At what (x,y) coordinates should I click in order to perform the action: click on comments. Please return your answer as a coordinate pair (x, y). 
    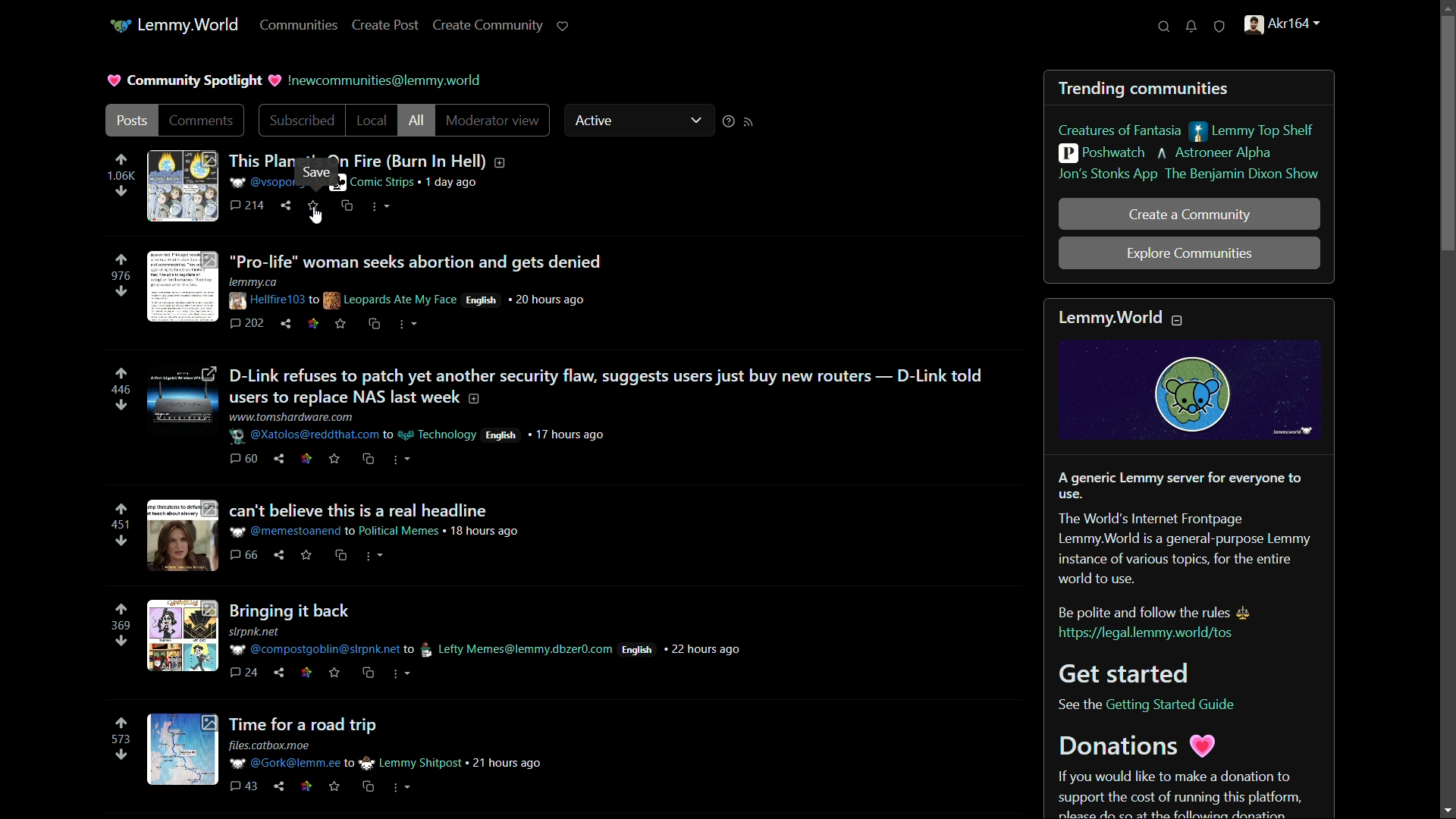
    Looking at the image, I should click on (201, 119).